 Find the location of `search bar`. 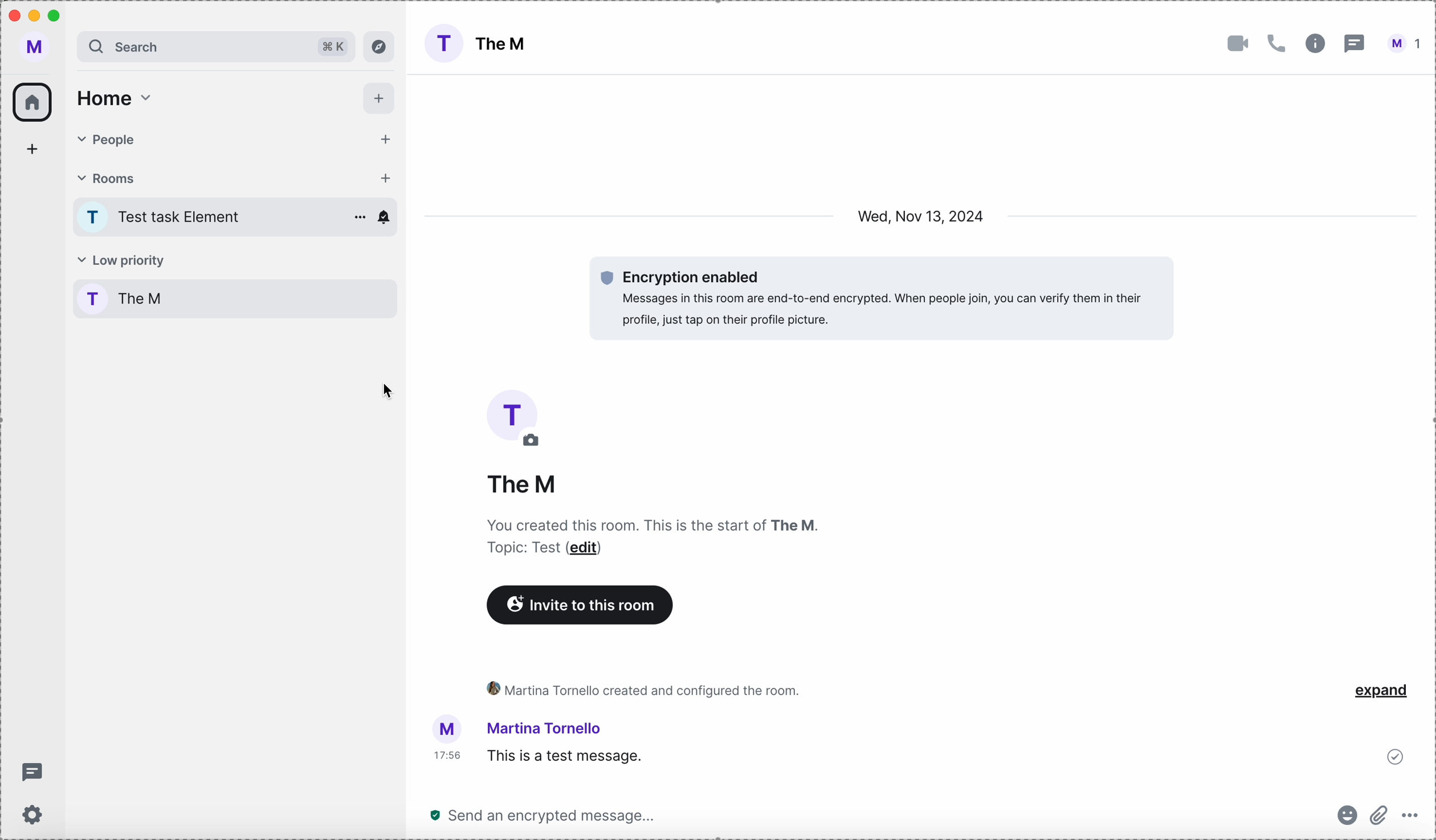

search bar is located at coordinates (179, 47).